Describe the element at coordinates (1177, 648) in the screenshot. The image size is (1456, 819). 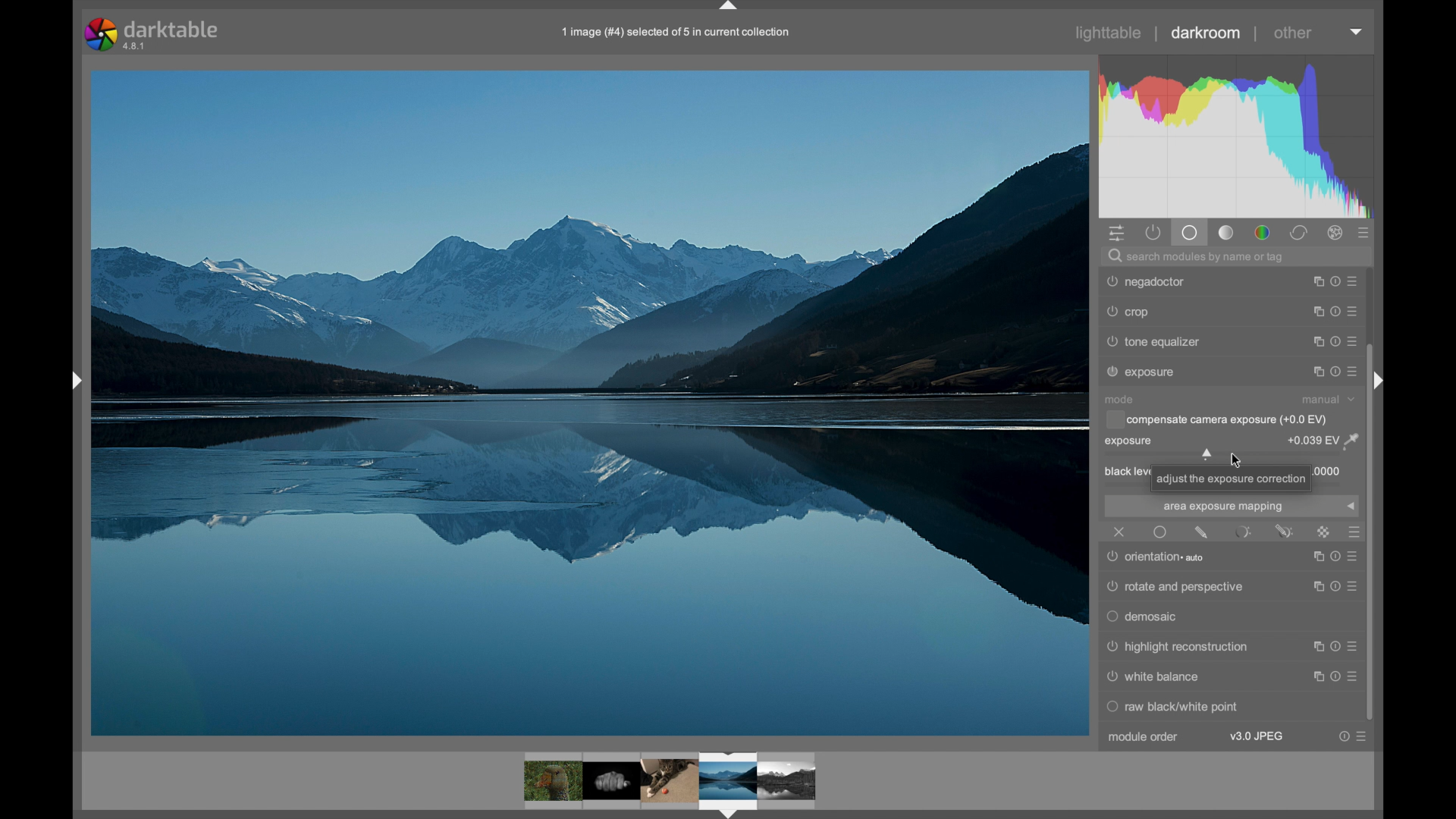
I see `O highlight reconstruction` at that location.